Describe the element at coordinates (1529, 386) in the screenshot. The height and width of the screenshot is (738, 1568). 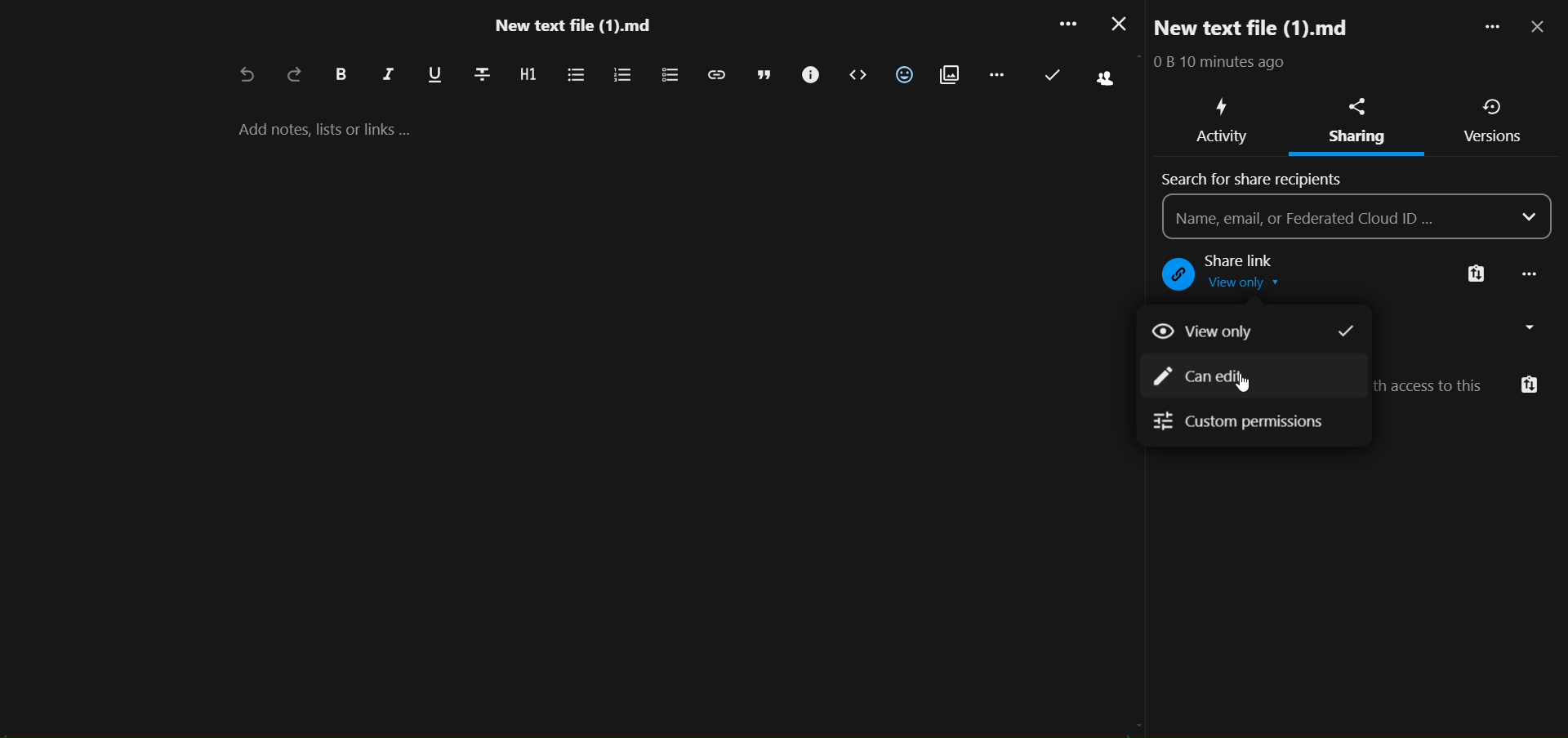
I see `copy link` at that location.